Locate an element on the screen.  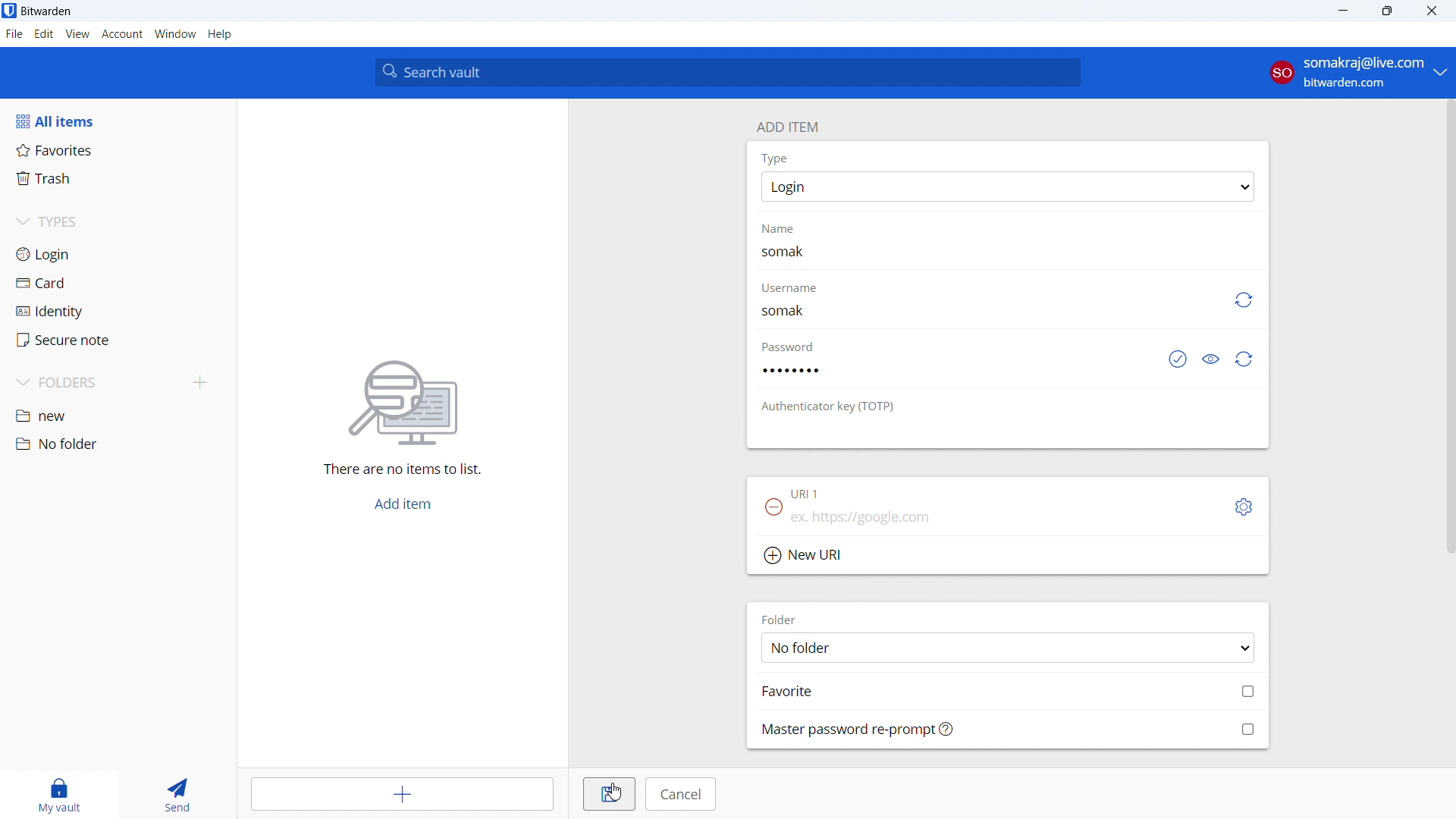
generate username is located at coordinates (1242, 300).